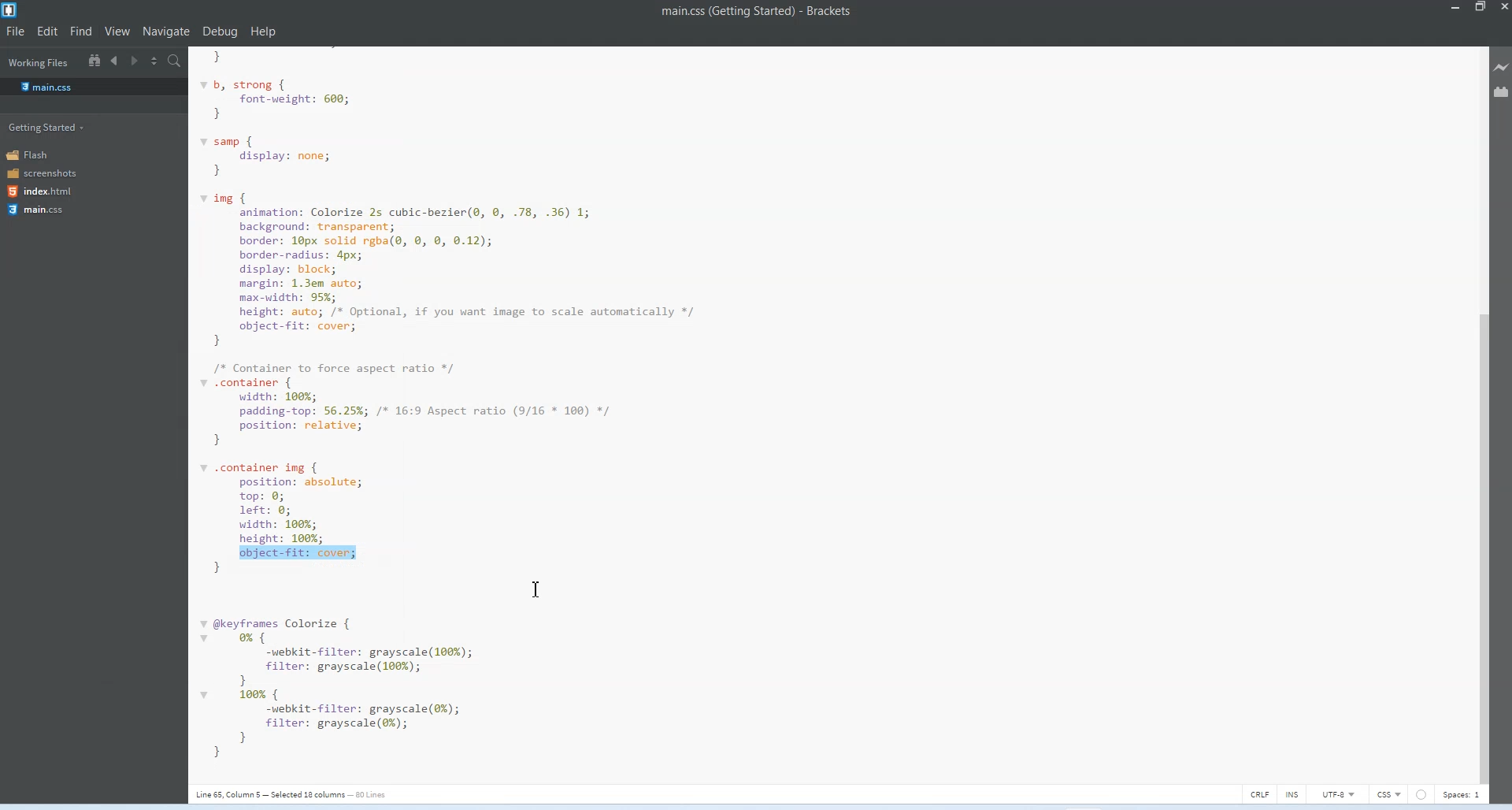  I want to click on INS, so click(1294, 793).